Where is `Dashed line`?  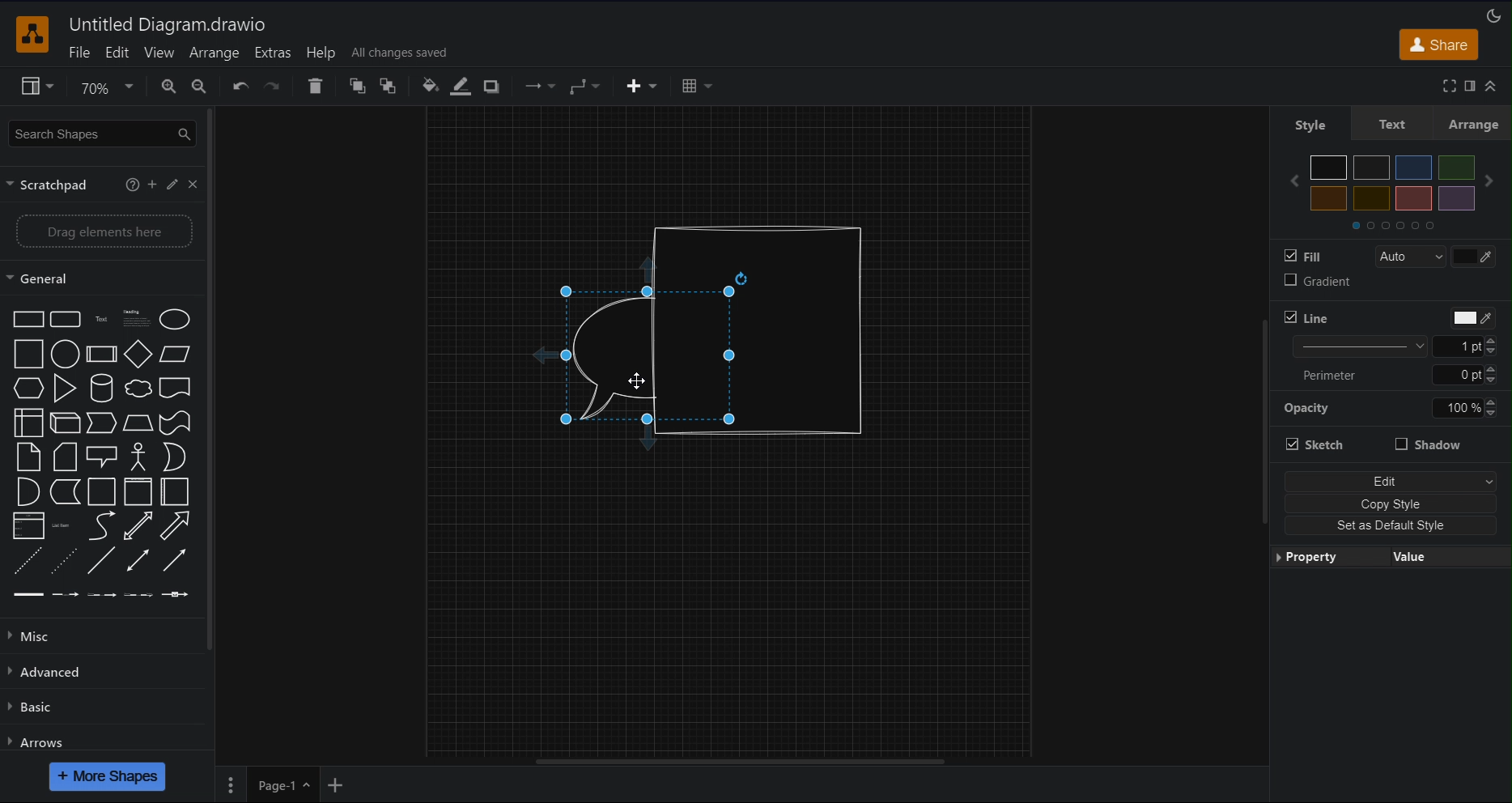 Dashed line is located at coordinates (28, 561).